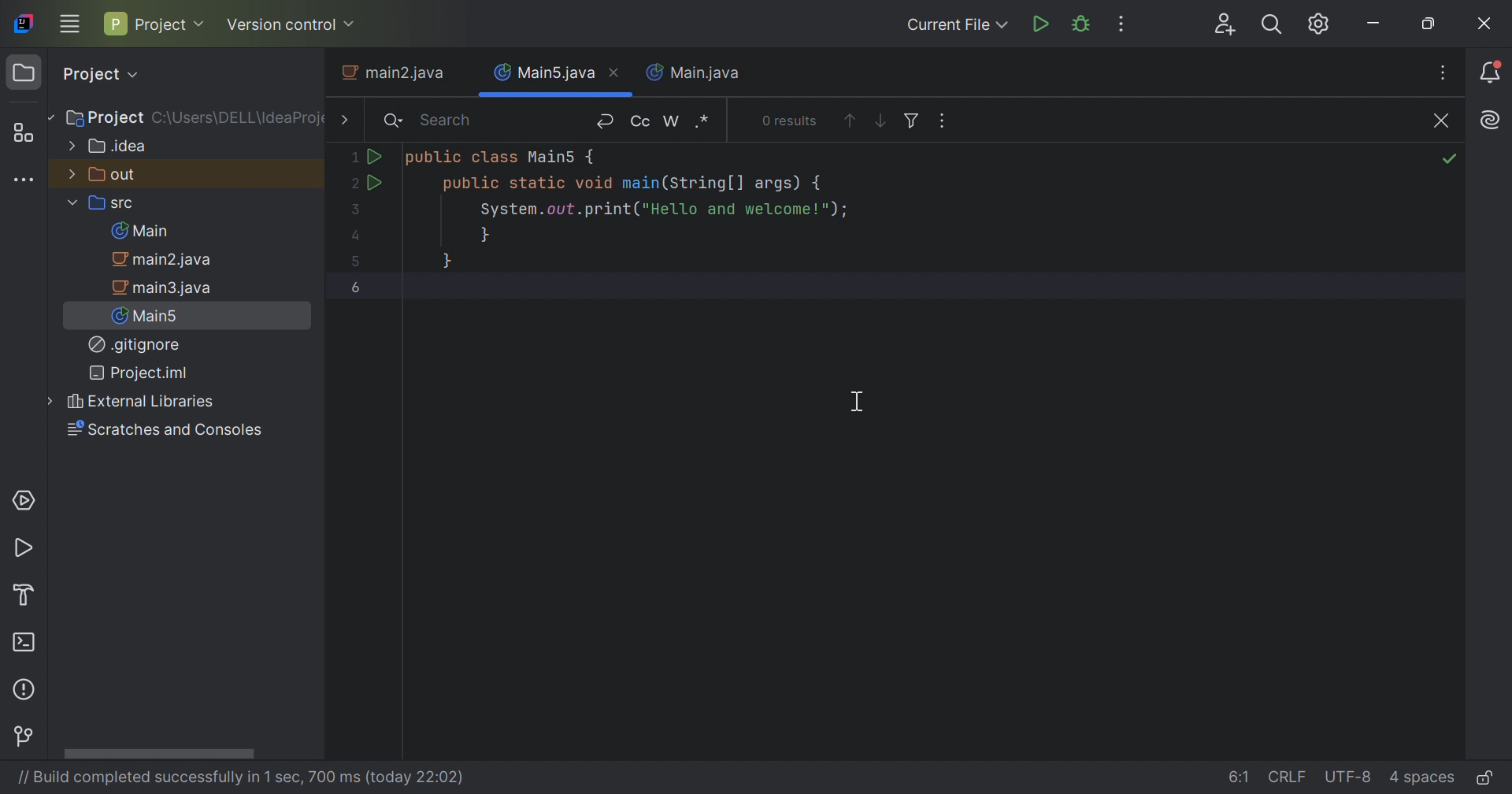 This screenshot has height=794, width=1512. Describe the element at coordinates (169, 260) in the screenshot. I see `main2.java` at that location.